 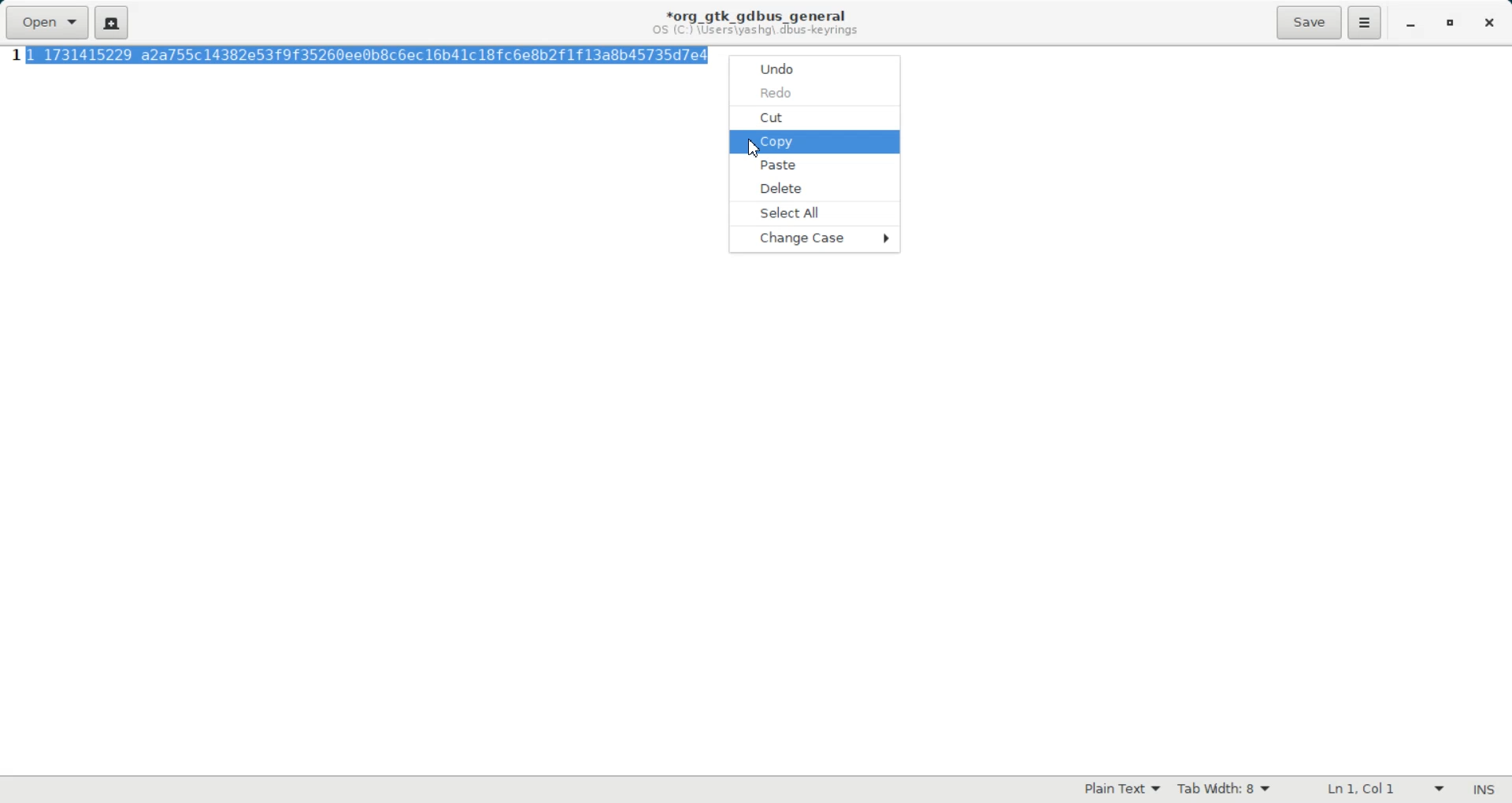 What do you see at coordinates (1452, 24) in the screenshot?
I see `Maximize` at bounding box center [1452, 24].